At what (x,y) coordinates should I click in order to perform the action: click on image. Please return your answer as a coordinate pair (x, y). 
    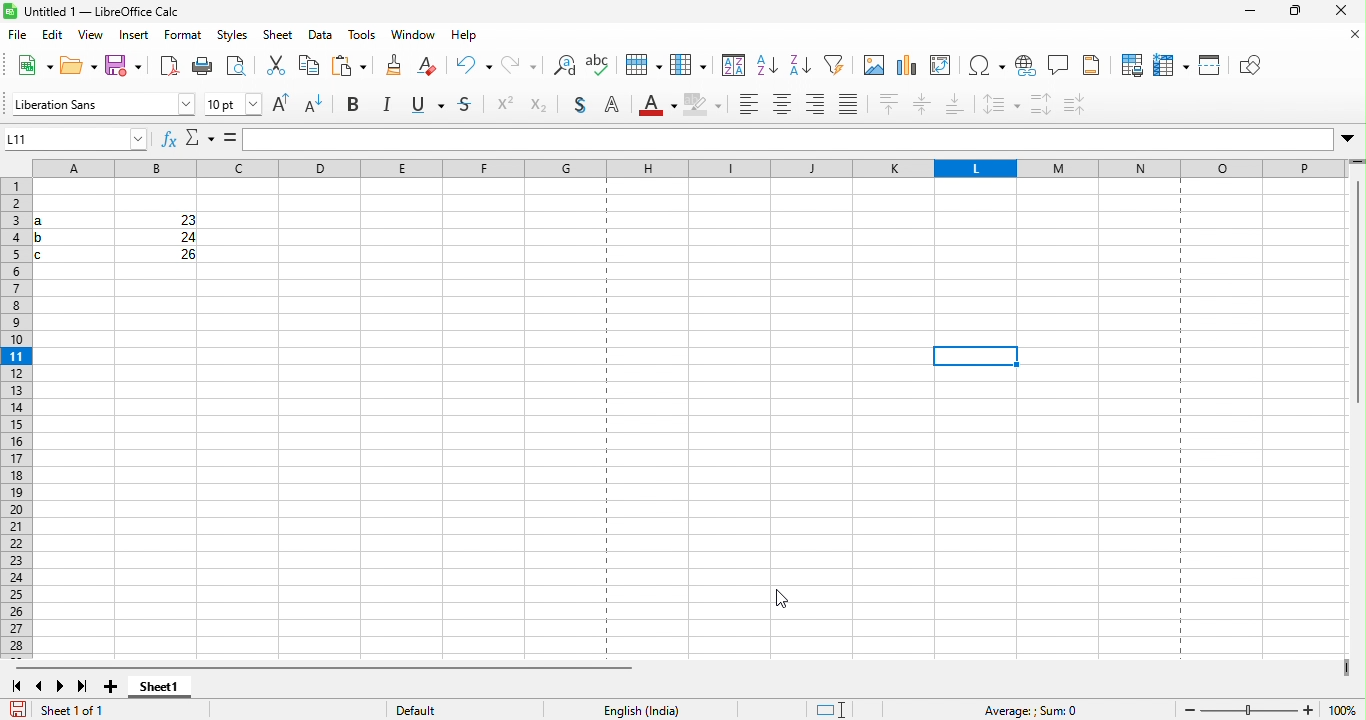
    Looking at the image, I should click on (835, 66).